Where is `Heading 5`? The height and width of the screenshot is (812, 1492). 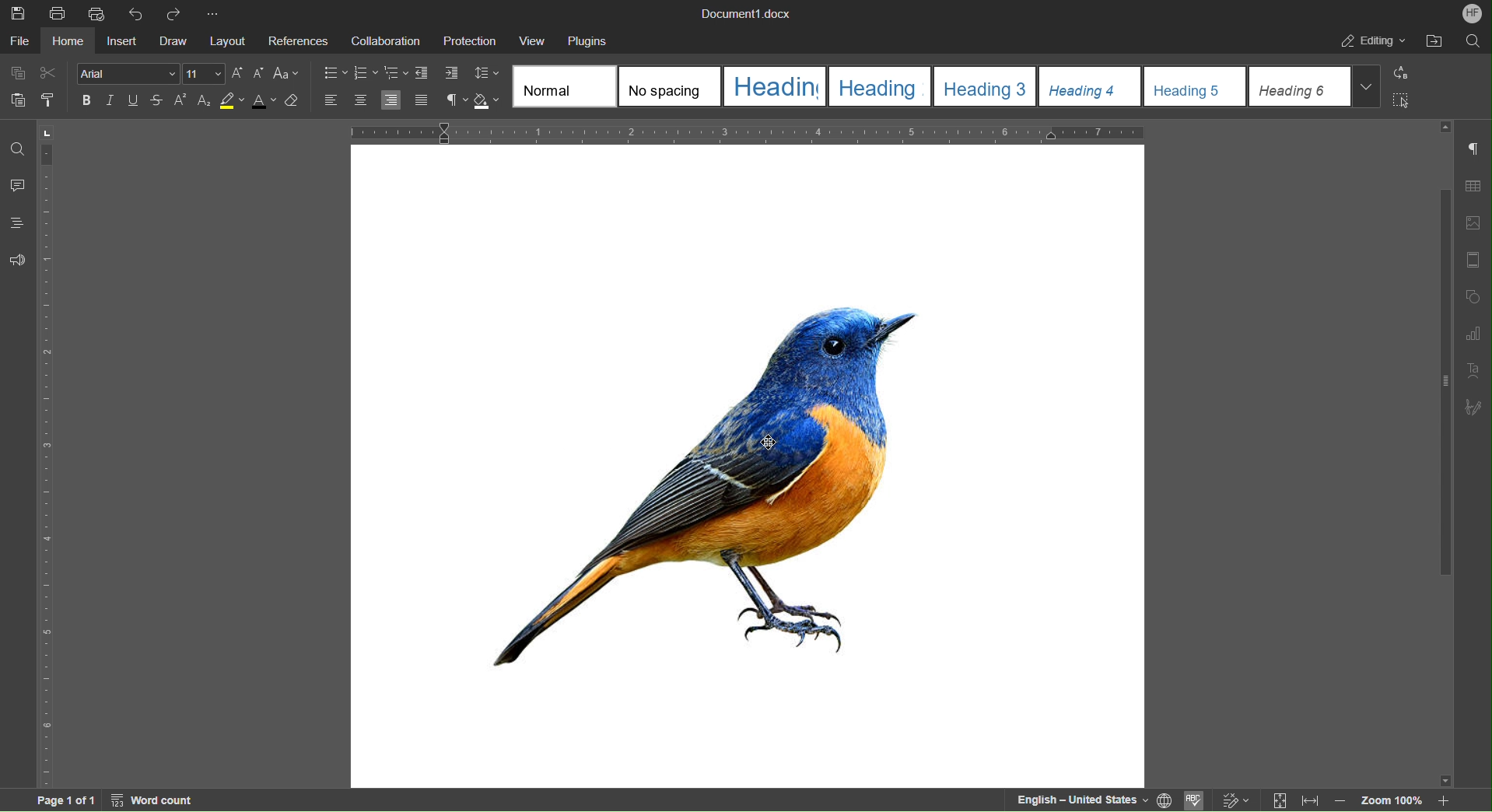 Heading 5 is located at coordinates (1196, 86).